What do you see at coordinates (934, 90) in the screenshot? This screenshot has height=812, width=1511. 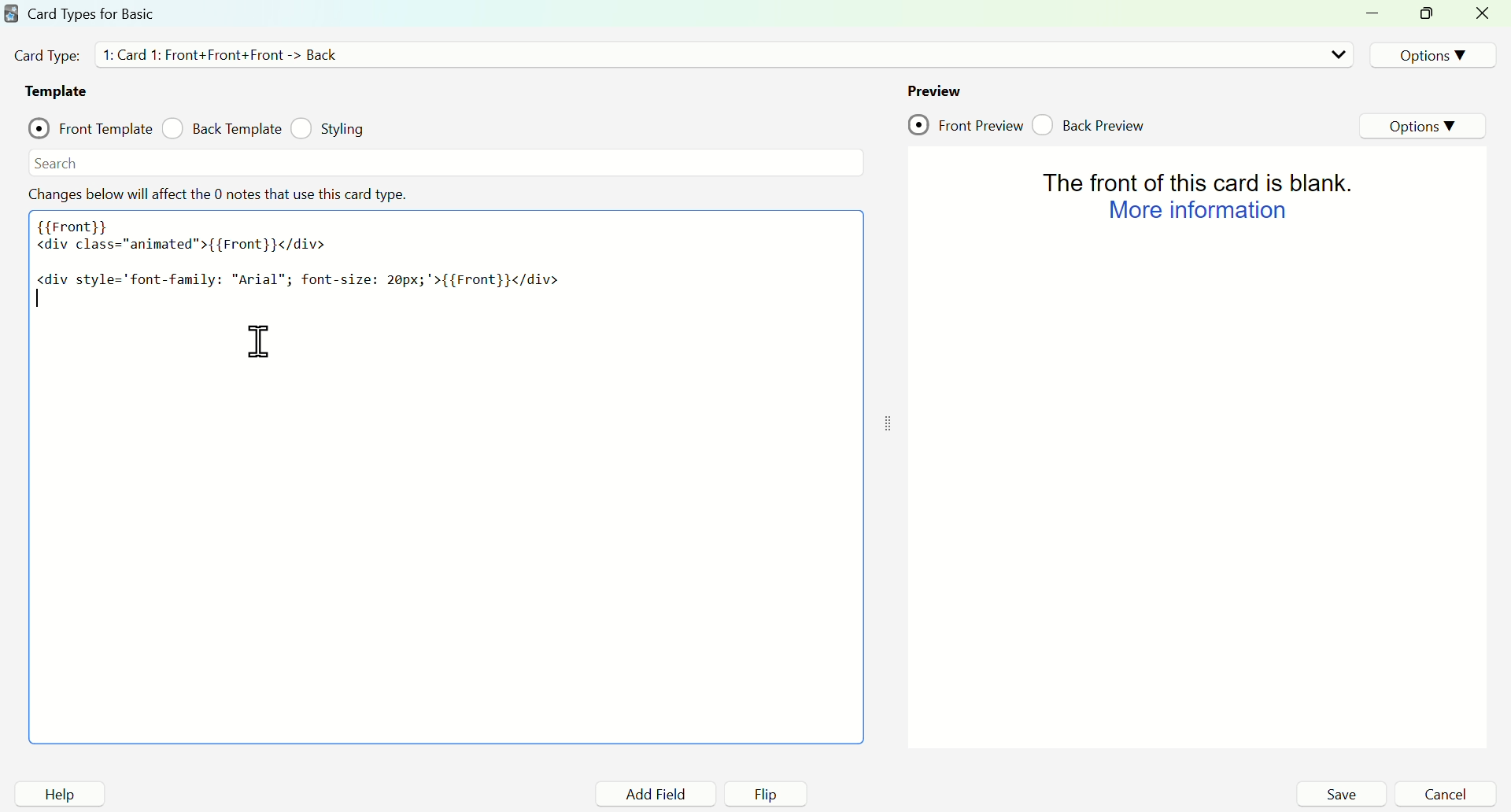 I see `Preview` at bounding box center [934, 90].